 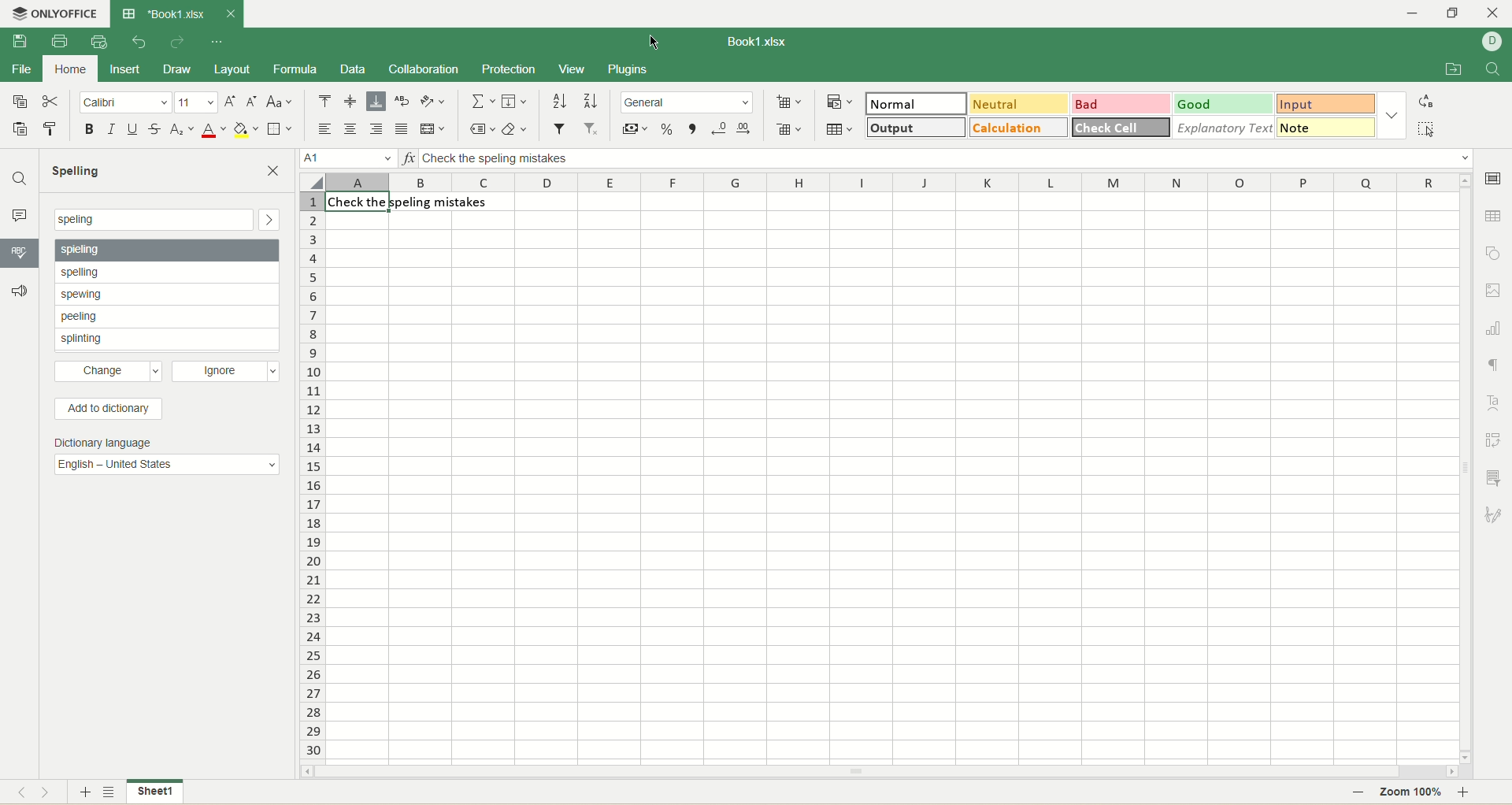 I want to click on redo, so click(x=177, y=42).